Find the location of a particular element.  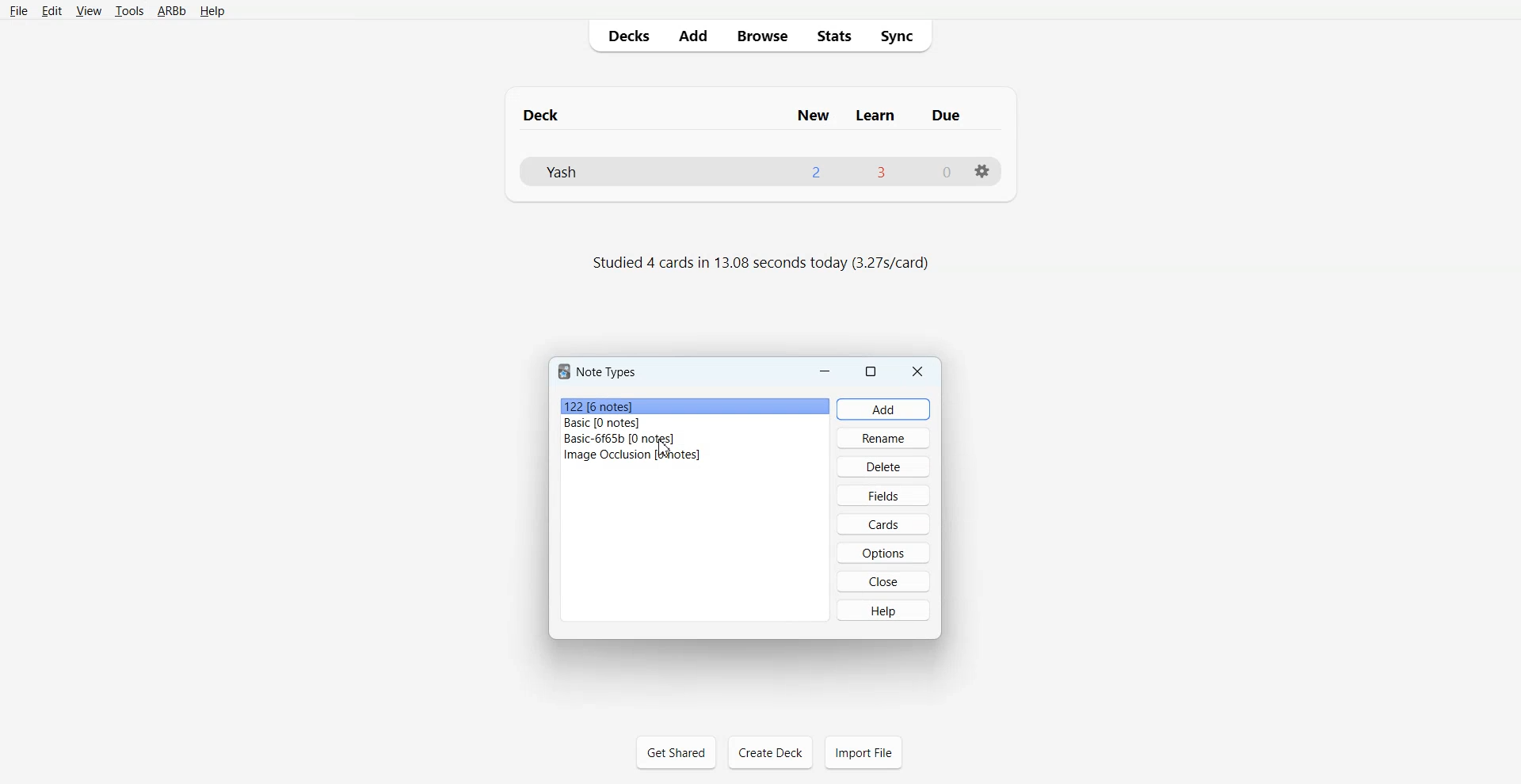

Tools is located at coordinates (129, 11).